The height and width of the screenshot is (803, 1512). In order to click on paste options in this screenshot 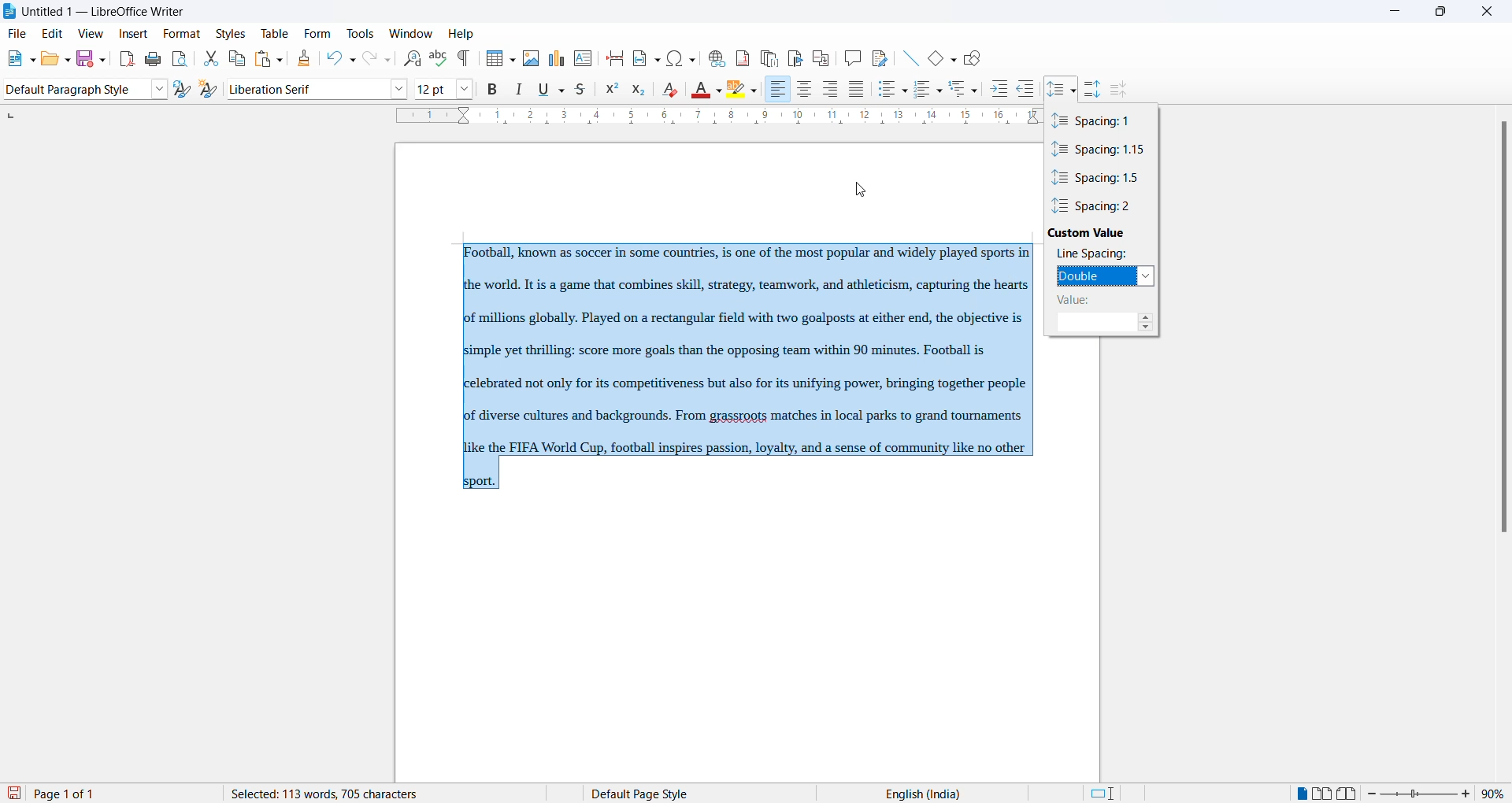, I will do `click(282, 58)`.